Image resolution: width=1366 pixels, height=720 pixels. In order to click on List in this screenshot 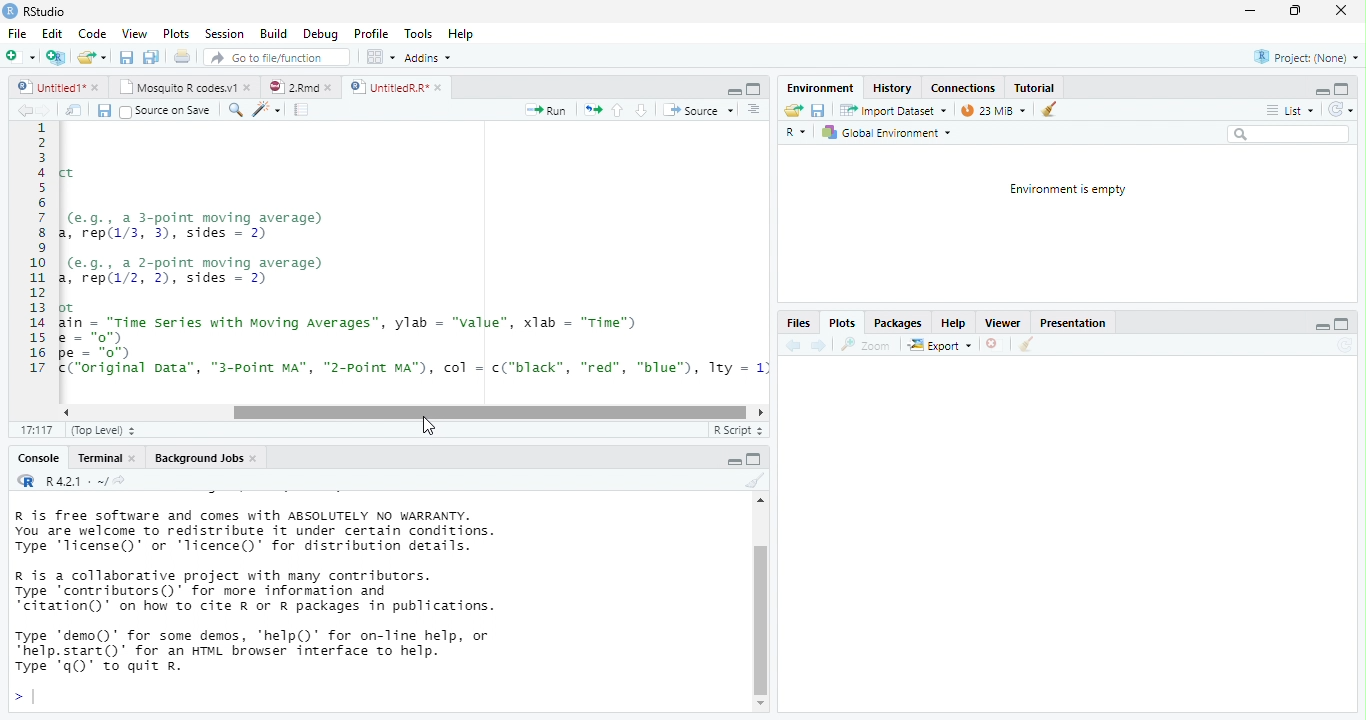, I will do `click(1289, 111)`.